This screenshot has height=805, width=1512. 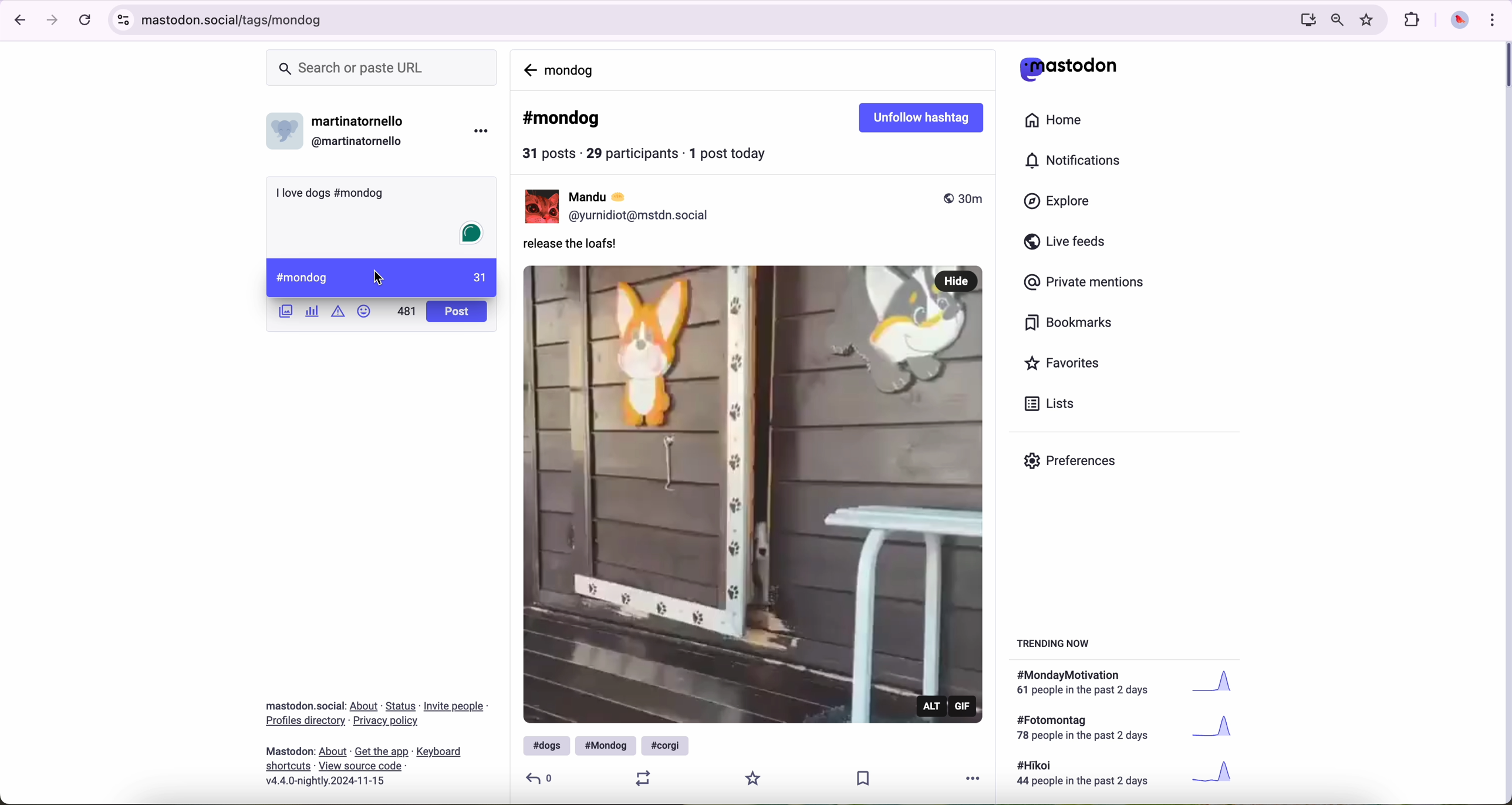 I want to click on graph, so click(x=1219, y=730).